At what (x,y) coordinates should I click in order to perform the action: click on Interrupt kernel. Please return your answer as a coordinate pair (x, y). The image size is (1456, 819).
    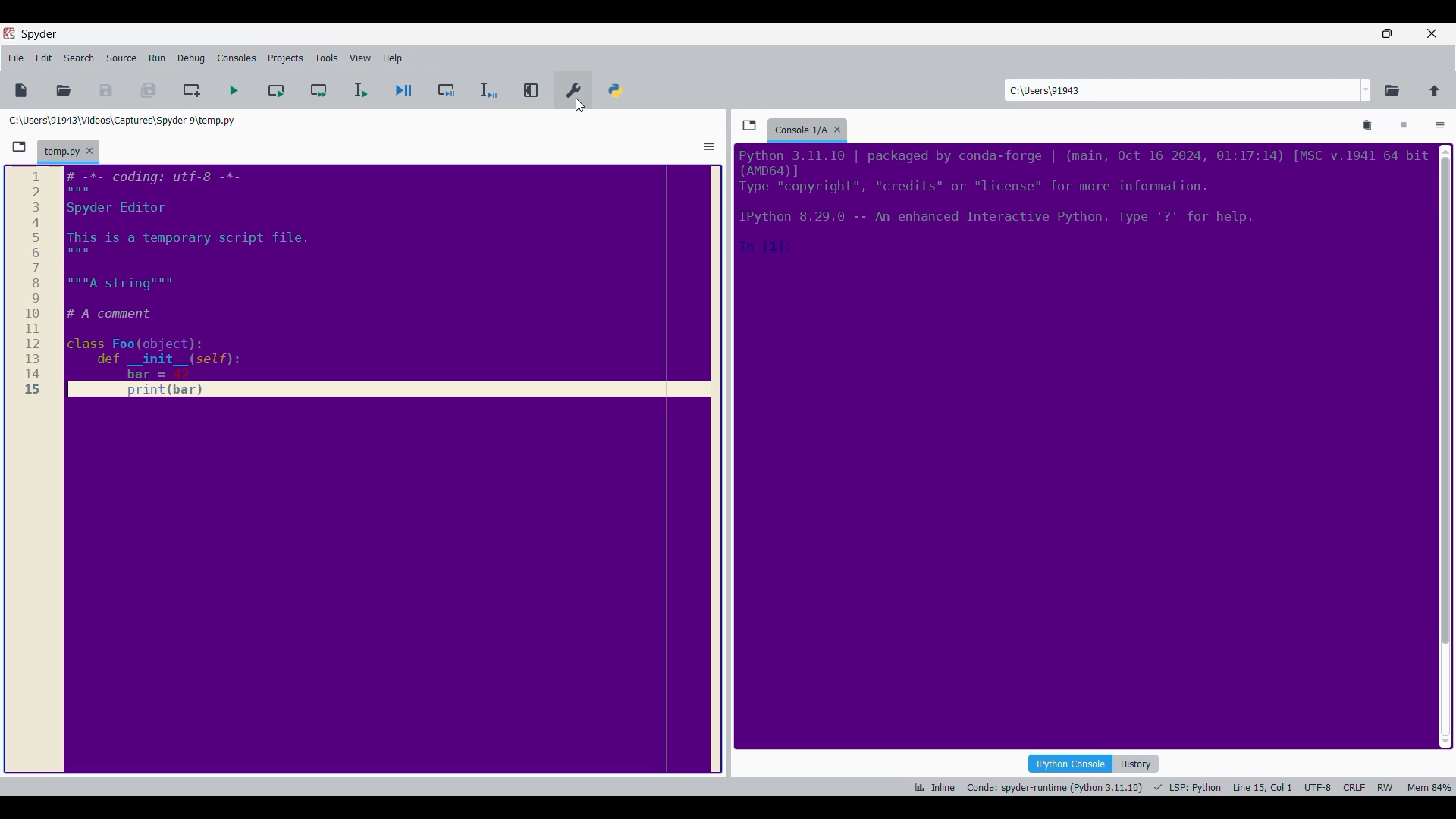
    Looking at the image, I should click on (1404, 127).